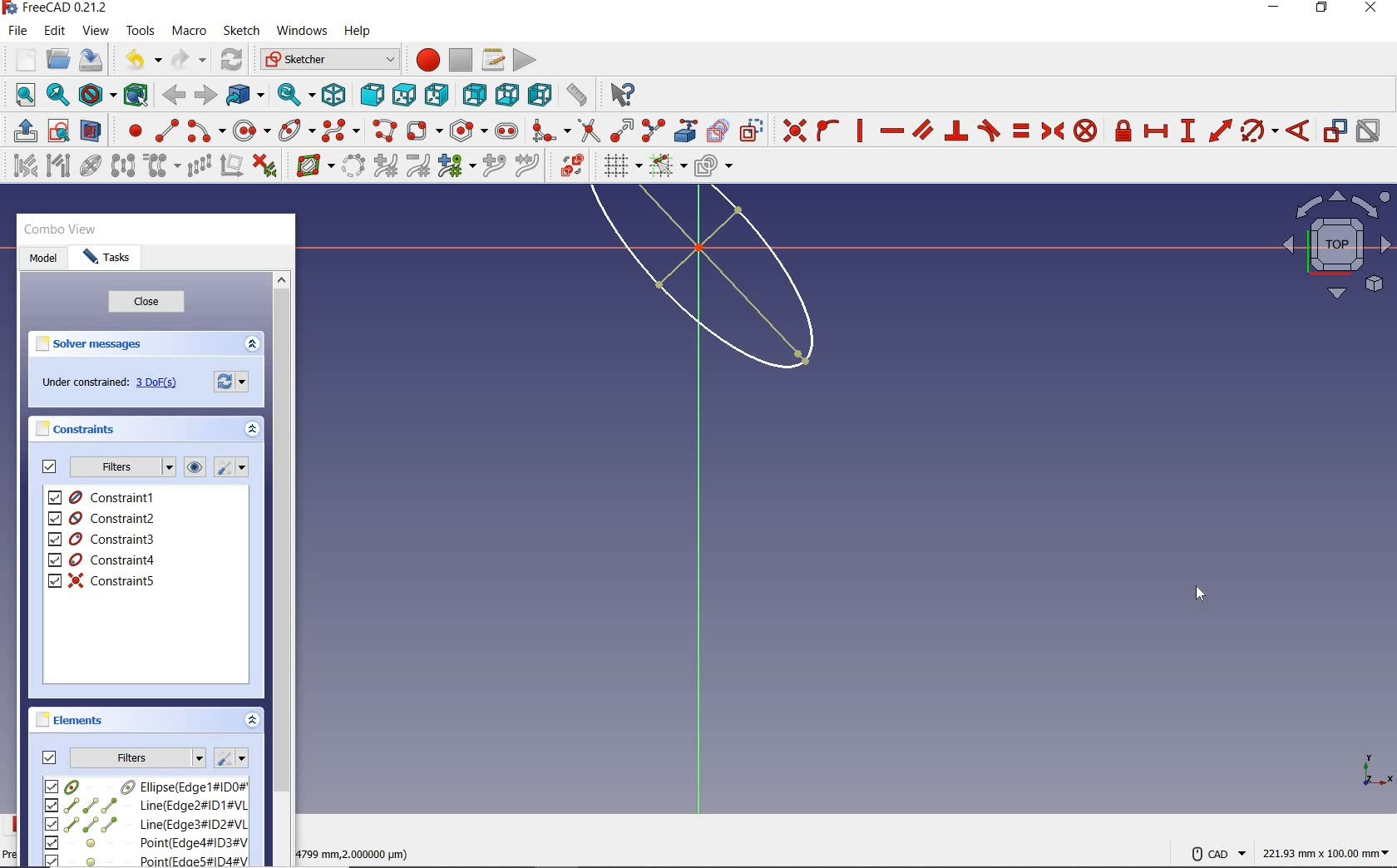  What do you see at coordinates (1273, 7) in the screenshot?
I see `minimize` at bounding box center [1273, 7].